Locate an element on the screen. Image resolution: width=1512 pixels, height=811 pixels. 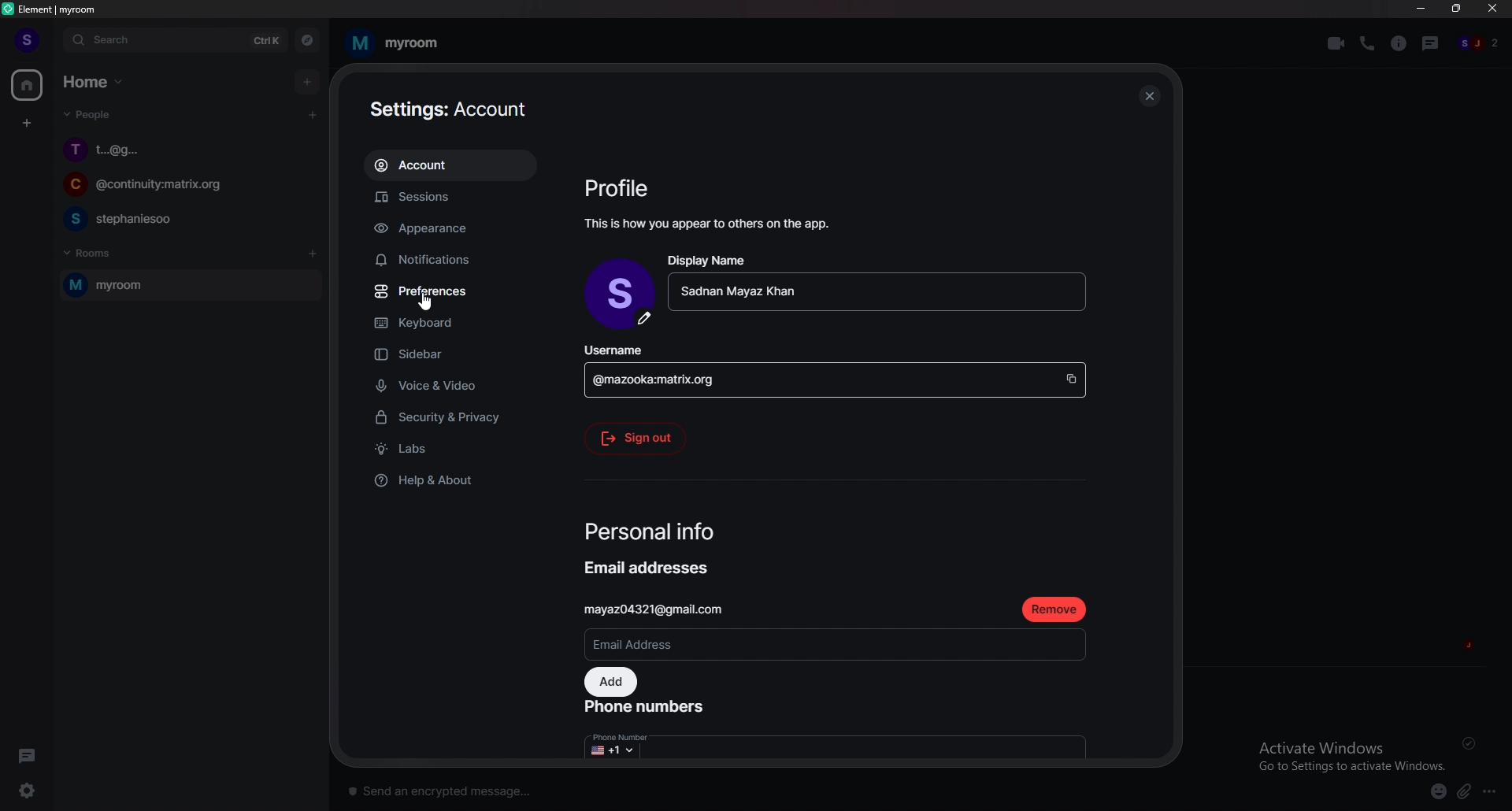
email is located at coordinates (669, 609).